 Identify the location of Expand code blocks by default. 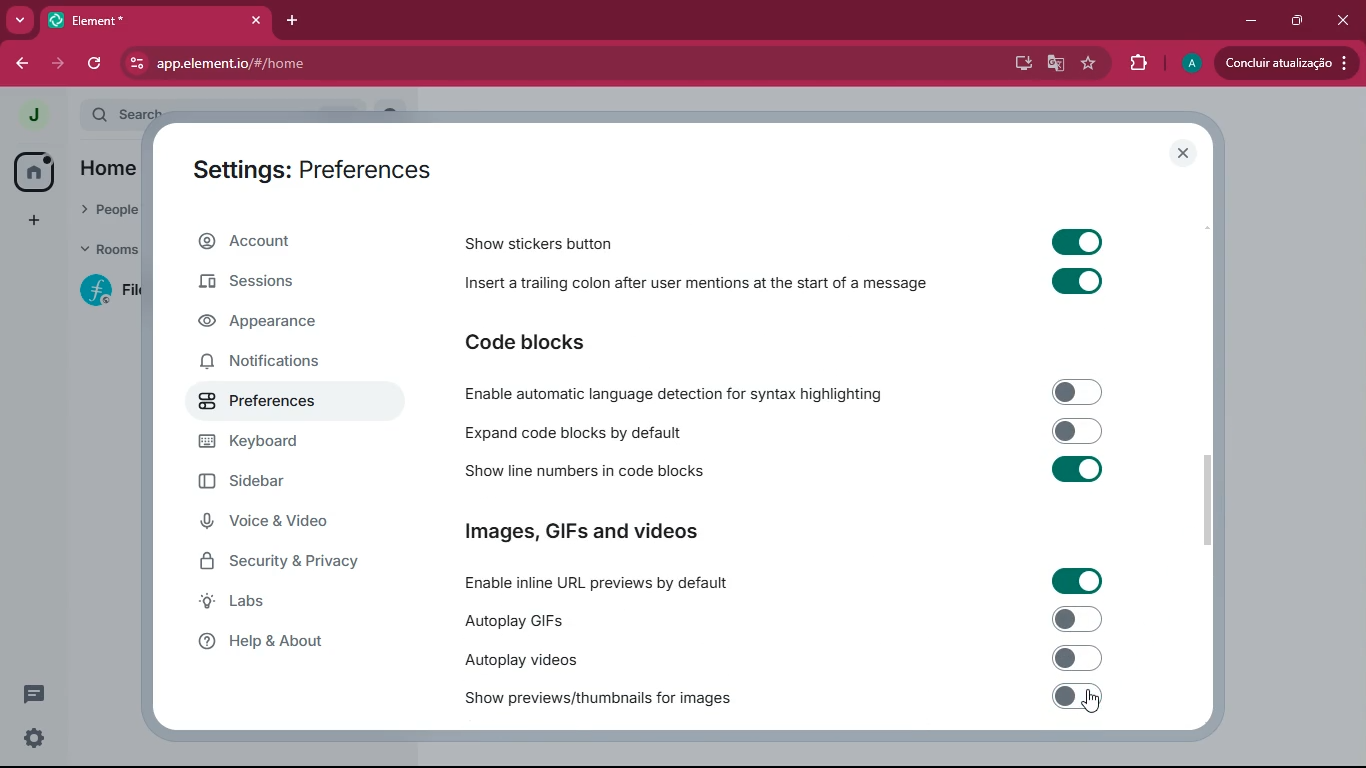
(575, 433).